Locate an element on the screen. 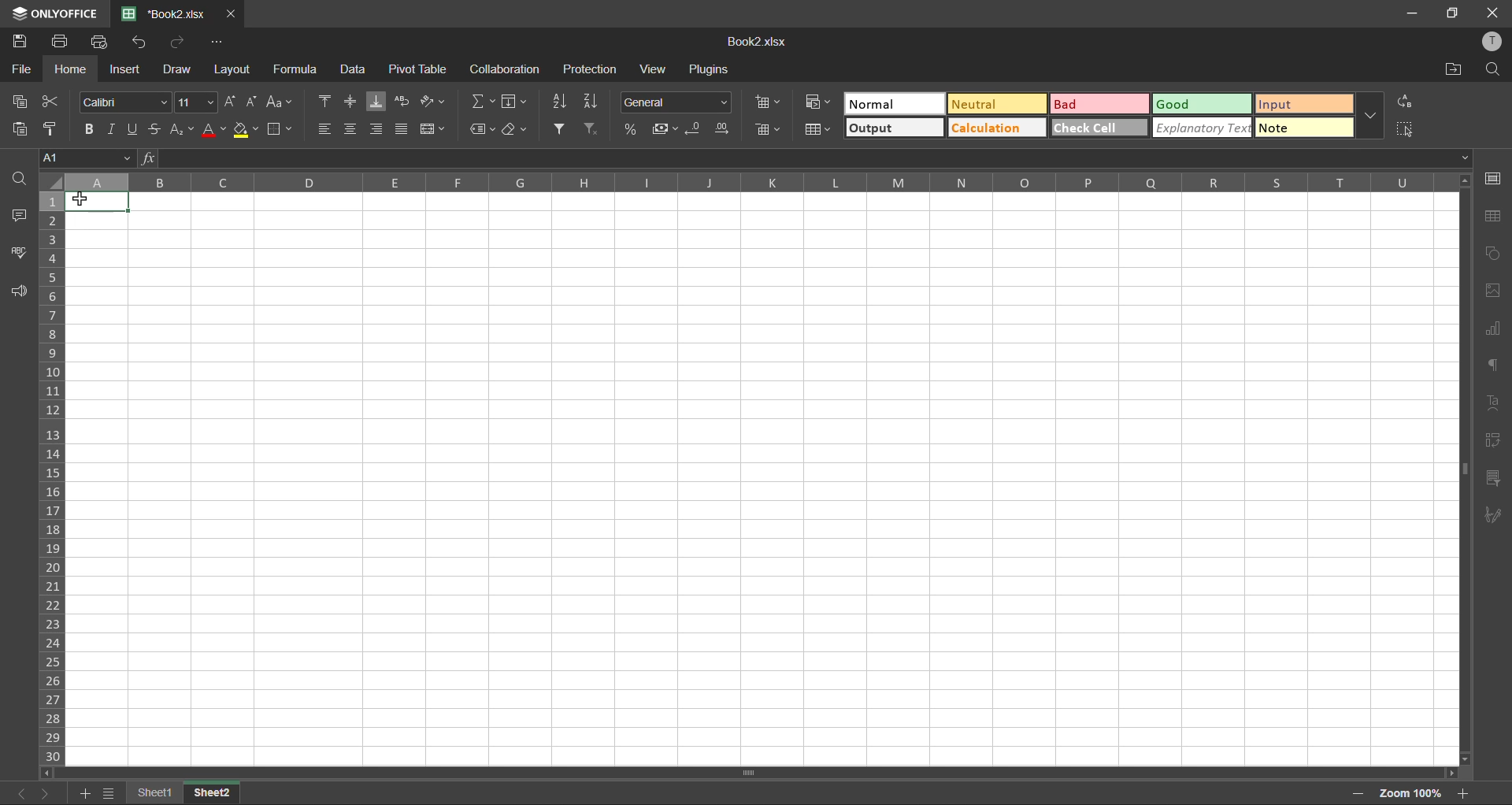 This screenshot has height=805, width=1512. font color is located at coordinates (214, 129).